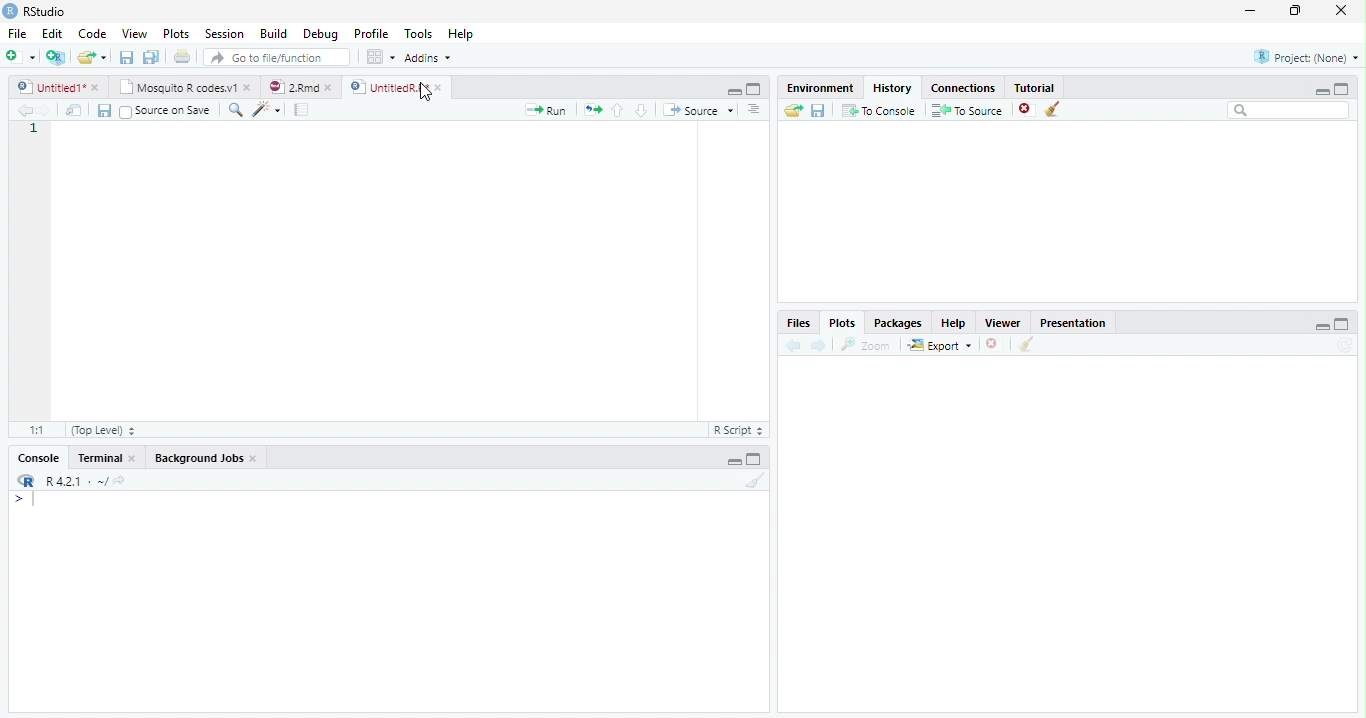 This screenshot has height=718, width=1366. I want to click on History, so click(893, 87).